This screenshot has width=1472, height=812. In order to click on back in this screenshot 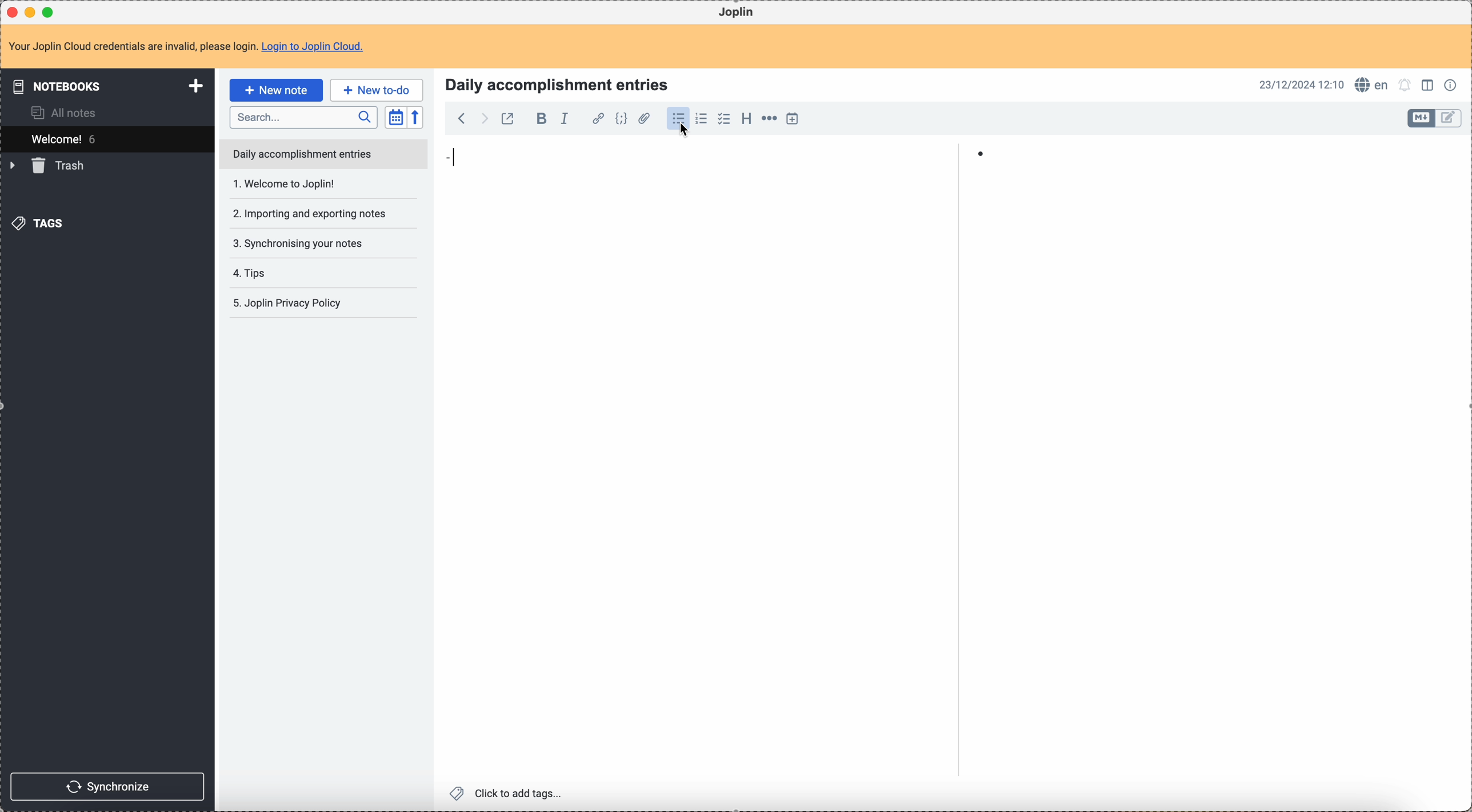, I will do `click(458, 118)`.